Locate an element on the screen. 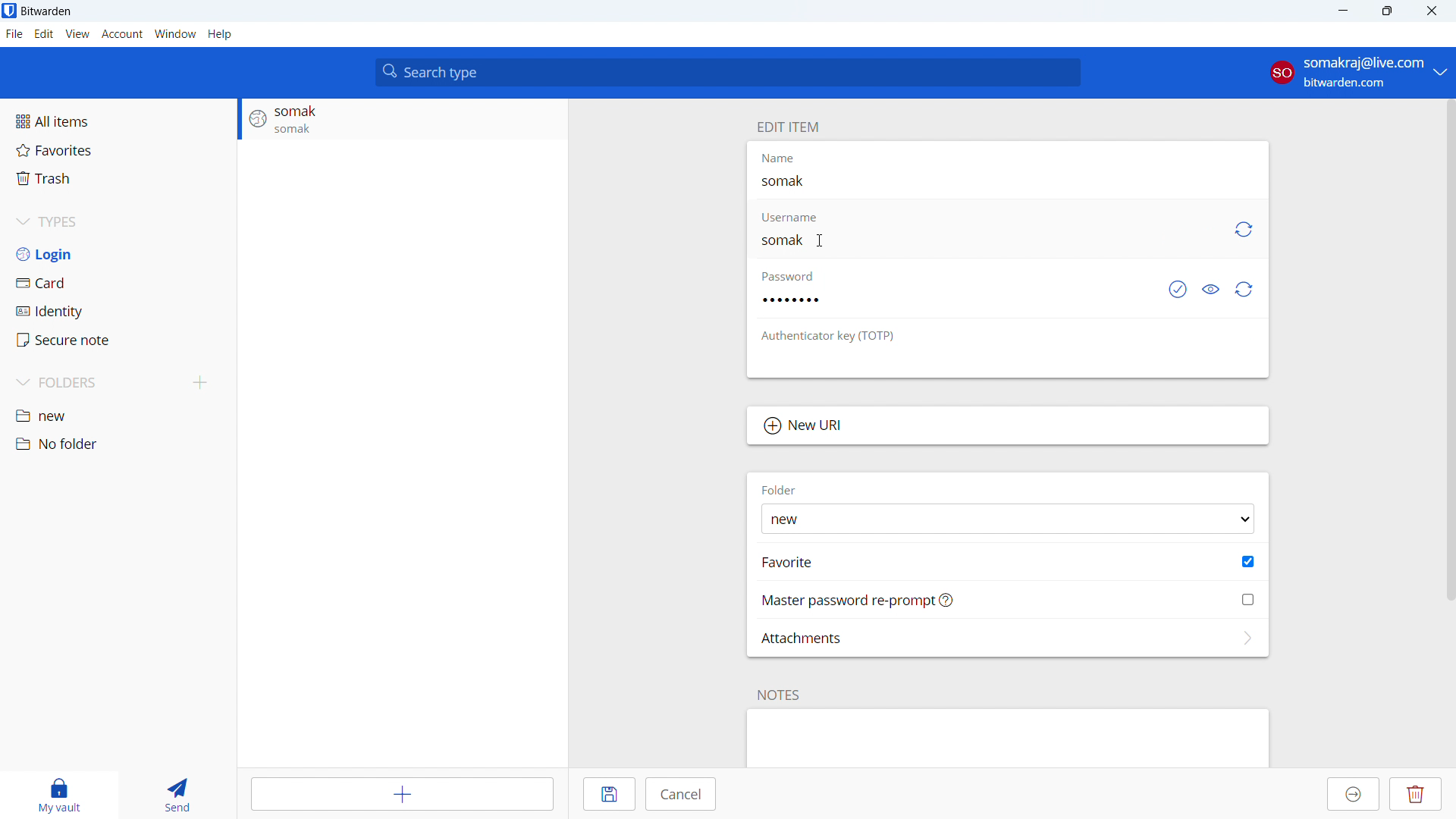 Image resolution: width=1456 pixels, height=819 pixels. send is located at coordinates (180, 795).